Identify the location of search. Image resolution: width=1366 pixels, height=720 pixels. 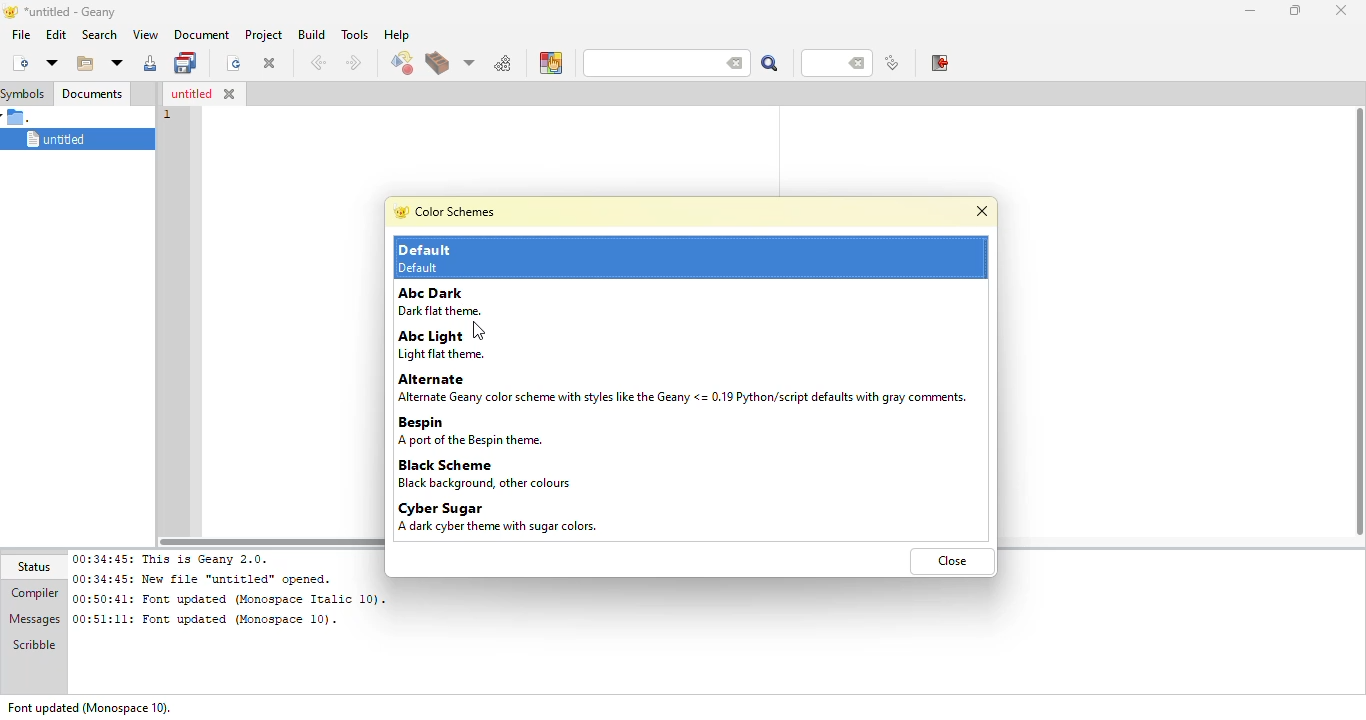
(646, 63).